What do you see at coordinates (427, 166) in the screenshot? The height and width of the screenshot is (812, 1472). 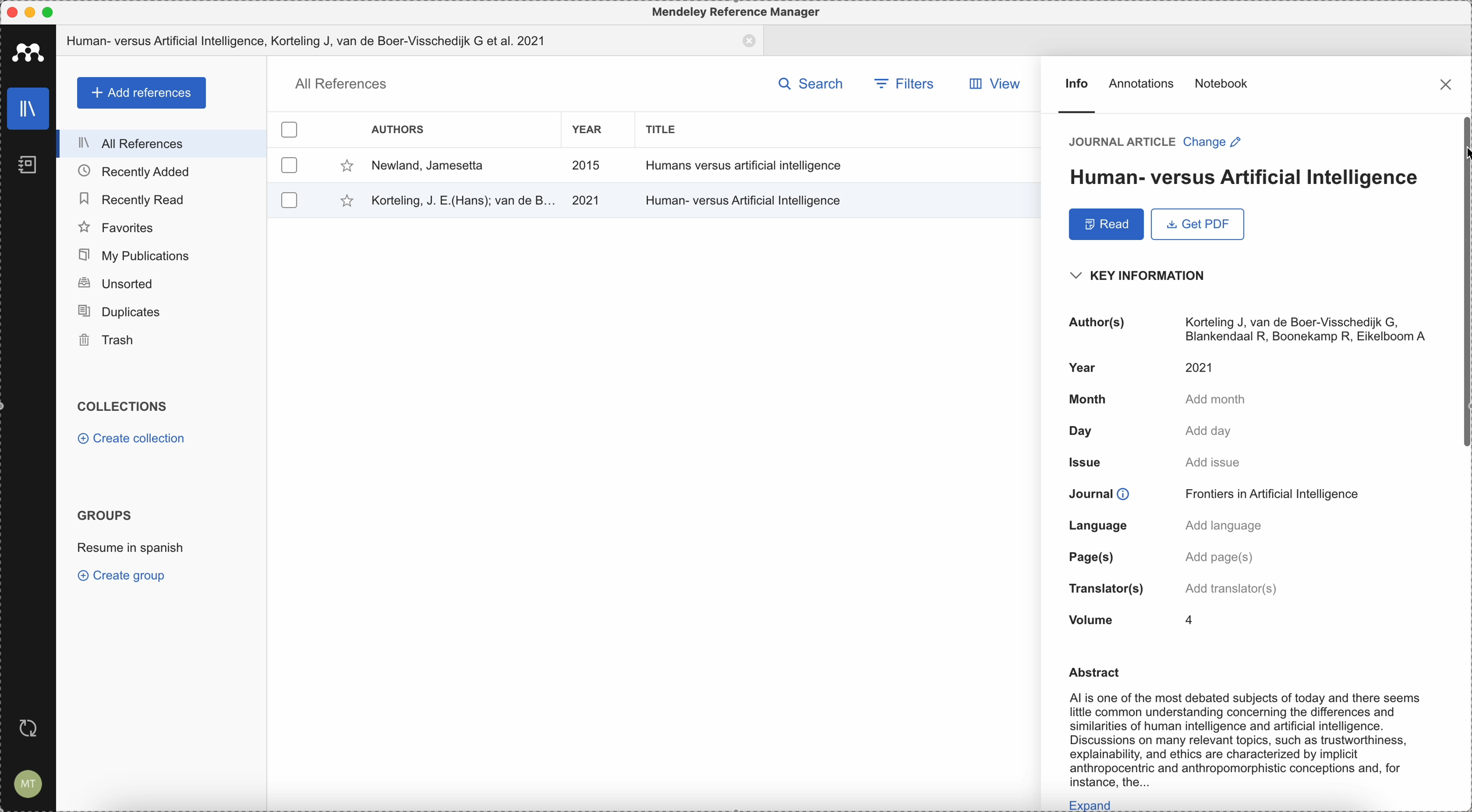 I see `Newlad, Jamsetta` at bounding box center [427, 166].